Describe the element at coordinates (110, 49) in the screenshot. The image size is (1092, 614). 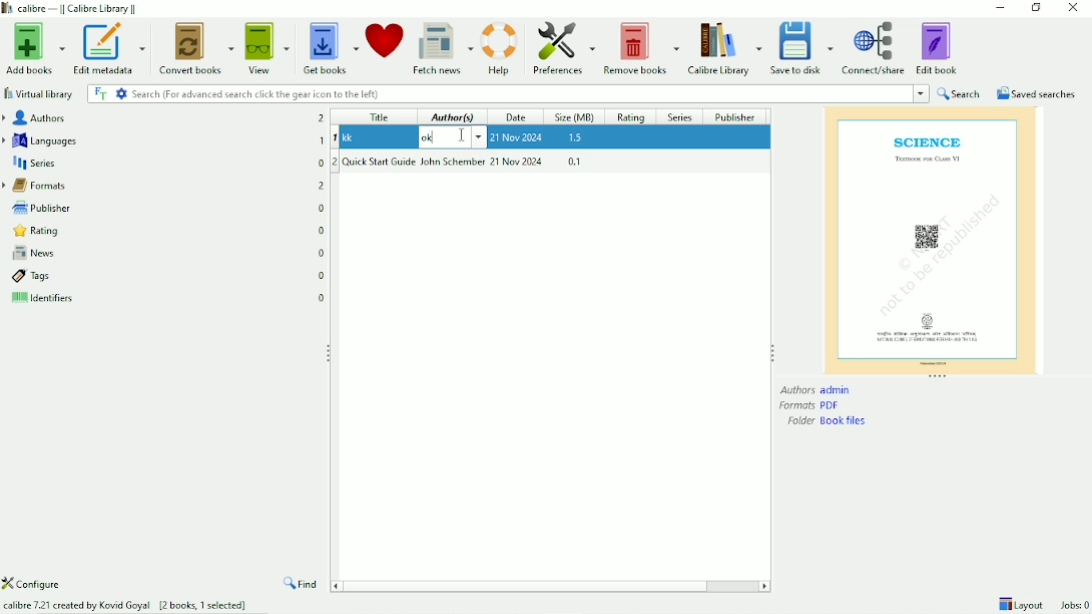
I see `Edit metadata` at that location.